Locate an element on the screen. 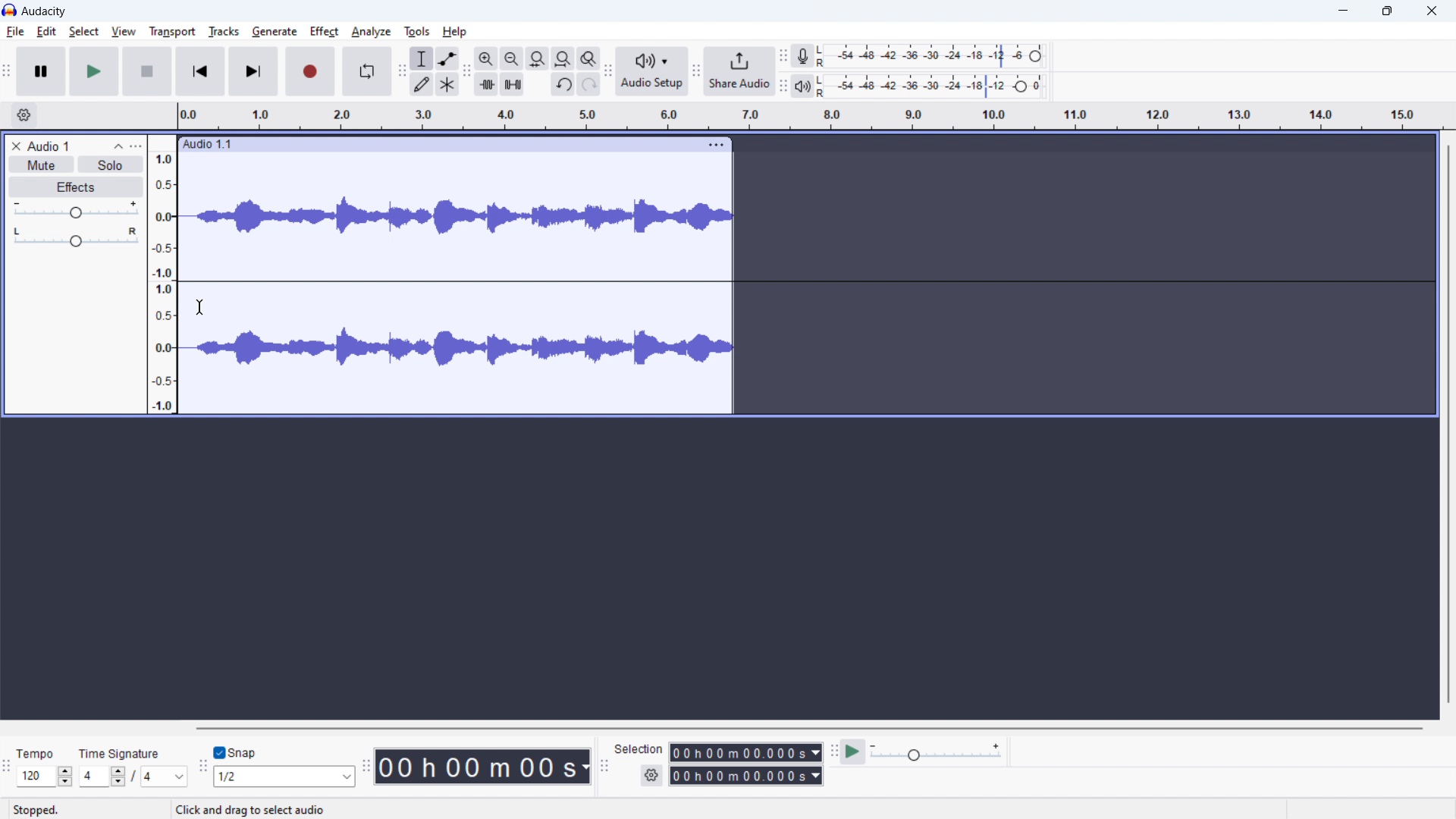 The image size is (1456, 819). analyze is located at coordinates (372, 30).